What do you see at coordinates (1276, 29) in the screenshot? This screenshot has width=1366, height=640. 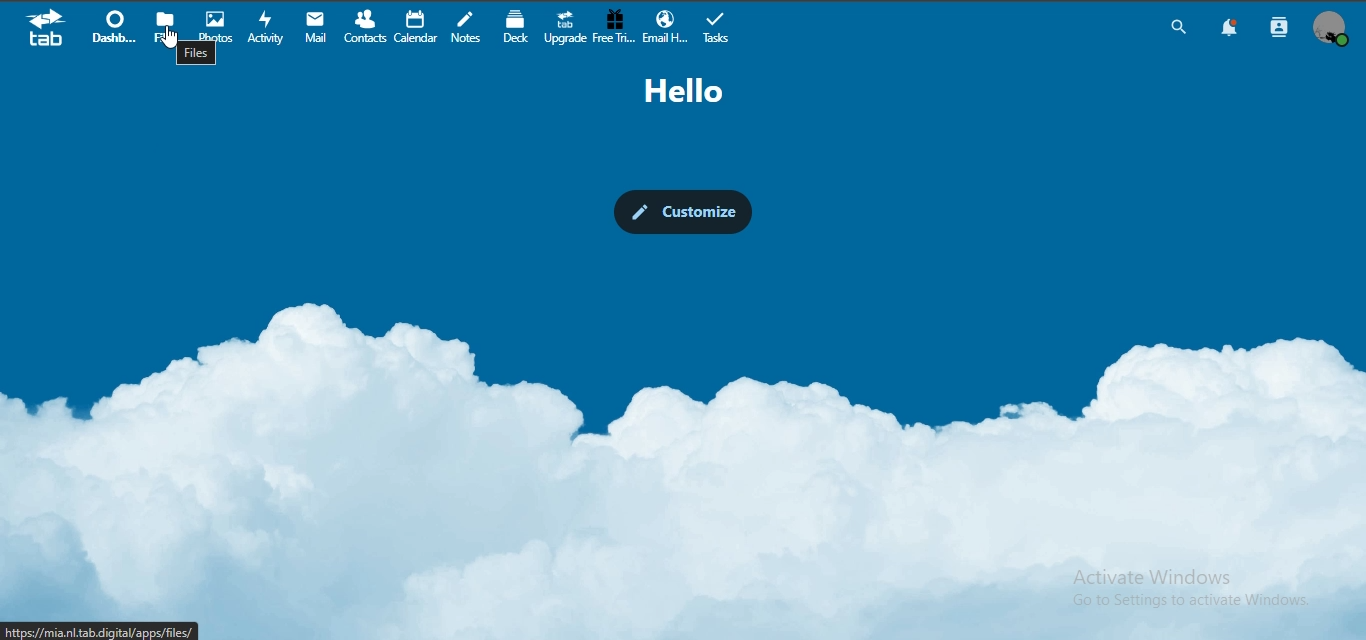 I see `search contacts` at bounding box center [1276, 29].